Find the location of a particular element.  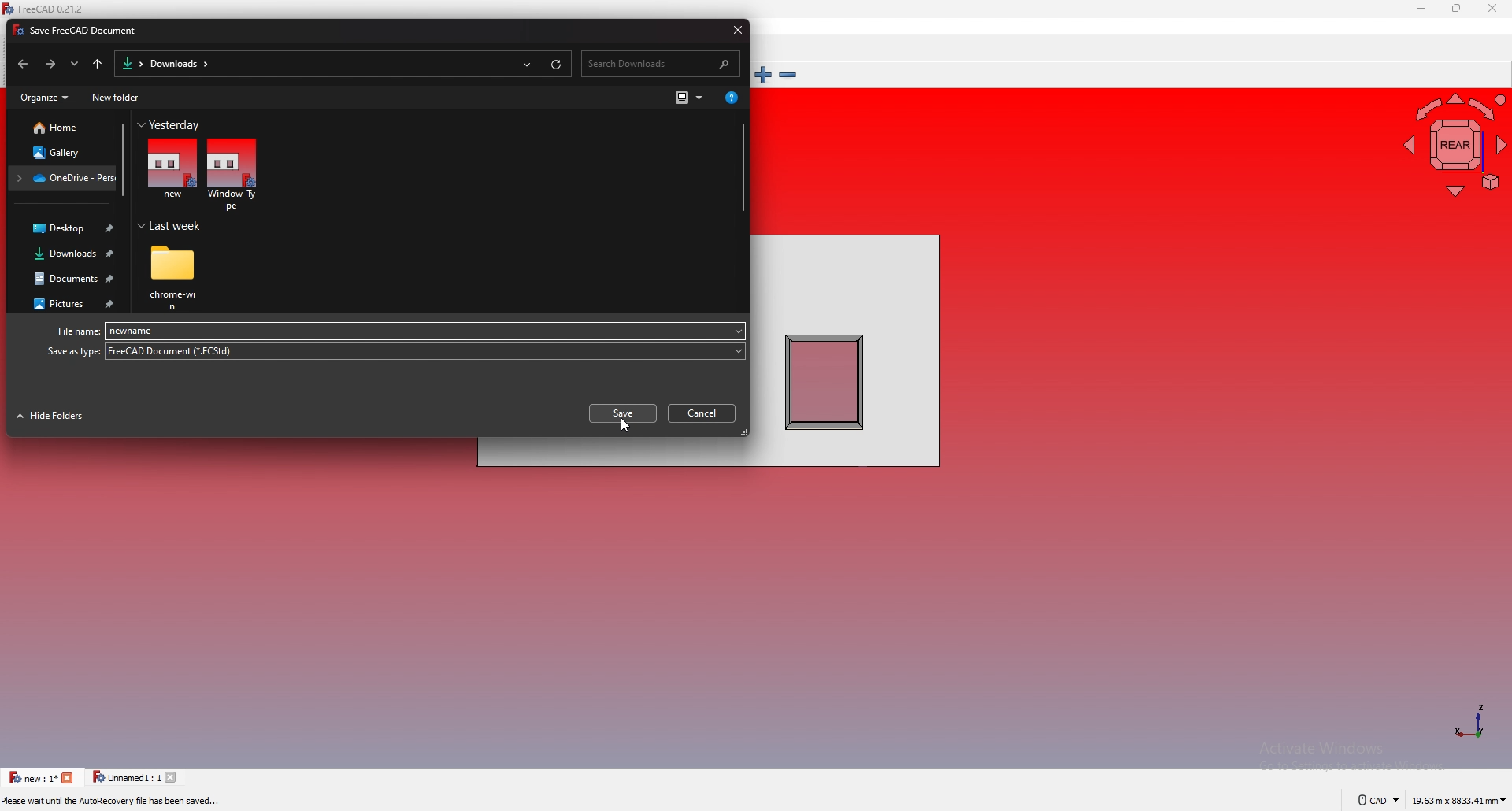

downloads is located at coordinates (180, 64).